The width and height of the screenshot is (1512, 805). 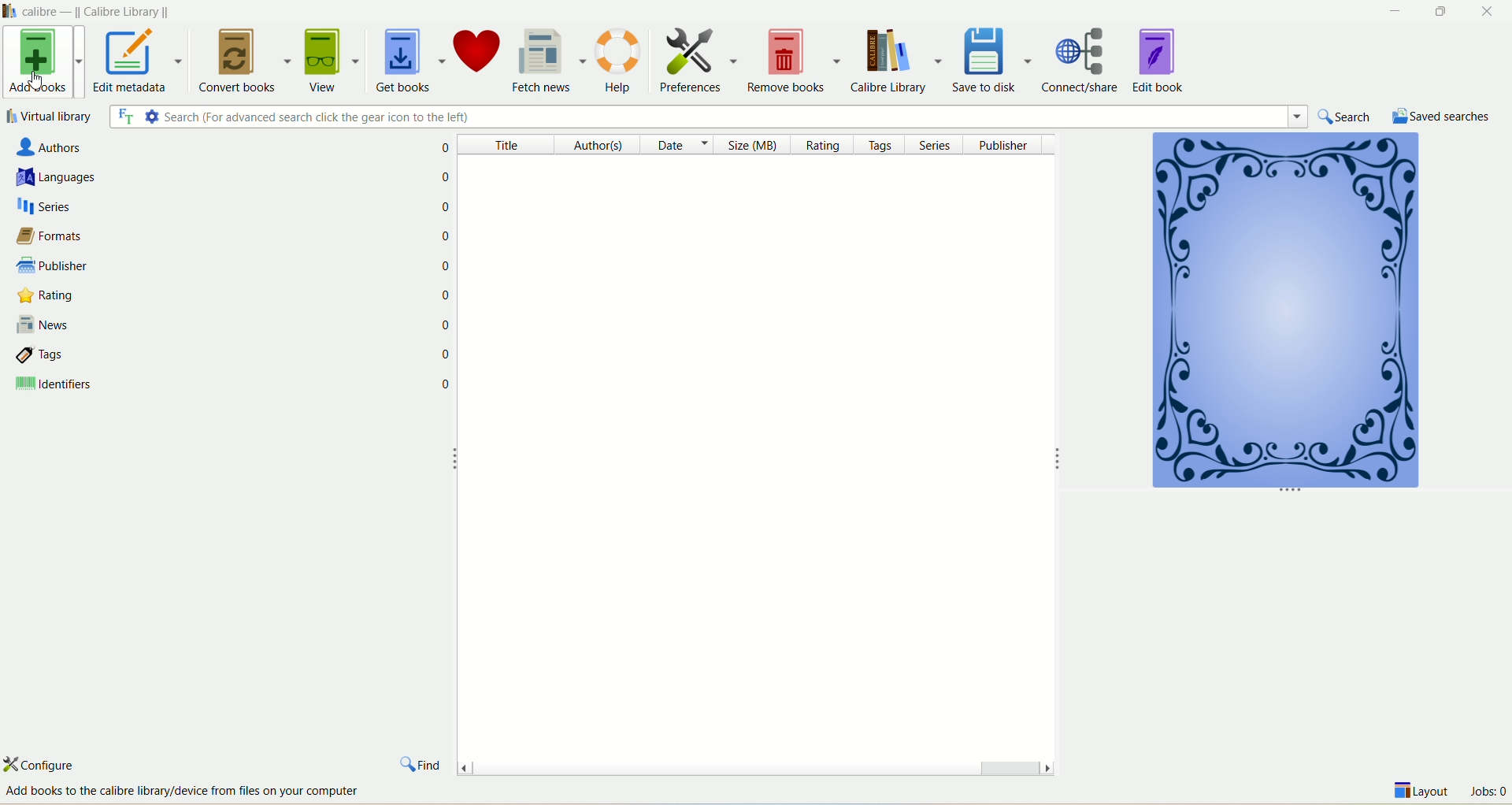 I want to click on layout, so click(x=1423, y=793).